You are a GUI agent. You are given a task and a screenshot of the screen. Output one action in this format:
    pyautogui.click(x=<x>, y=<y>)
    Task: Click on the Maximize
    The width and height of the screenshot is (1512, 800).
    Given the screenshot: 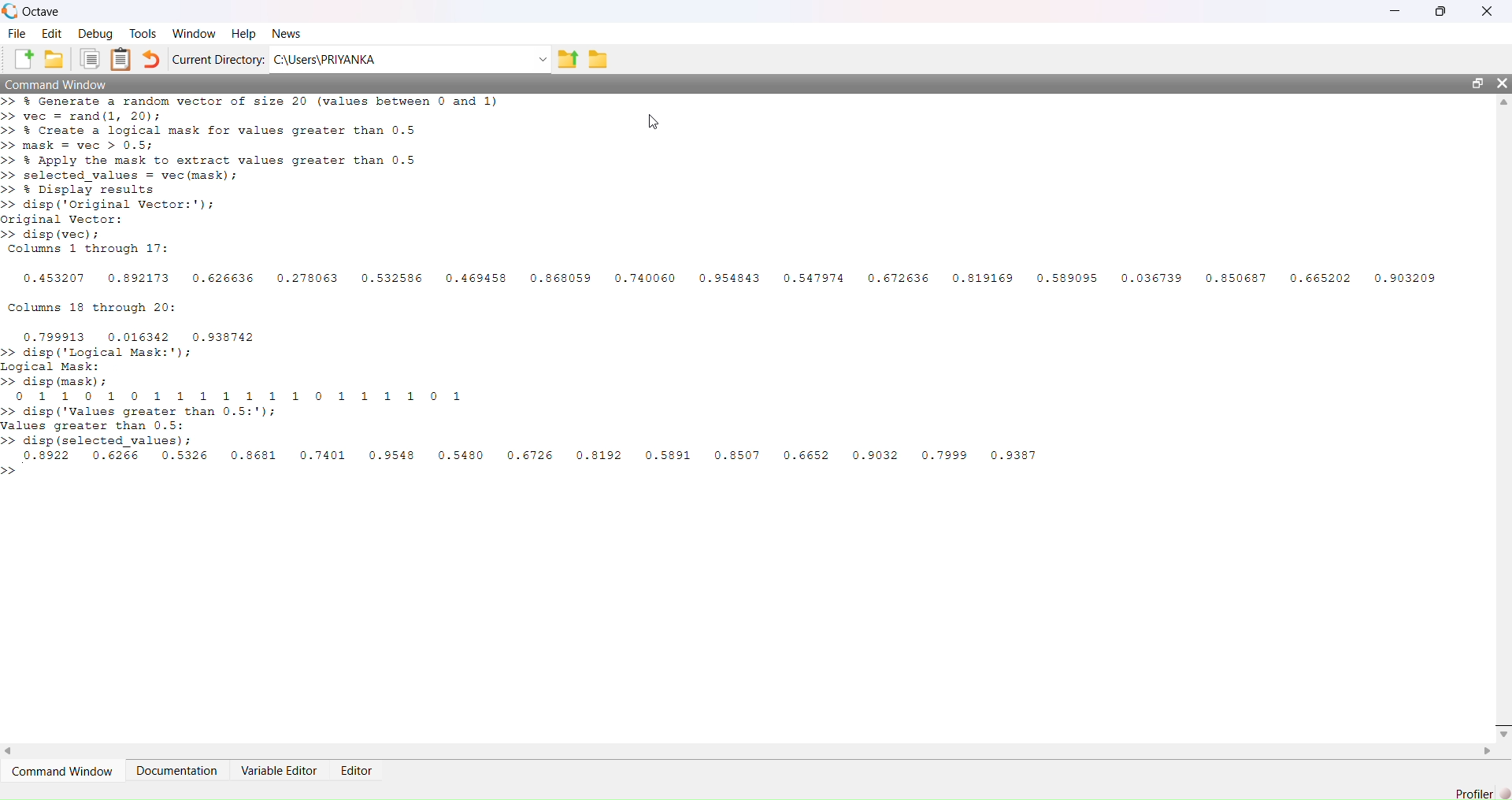 What is the action you would take?
    pyautogui.click(x=1442, y=13)
    